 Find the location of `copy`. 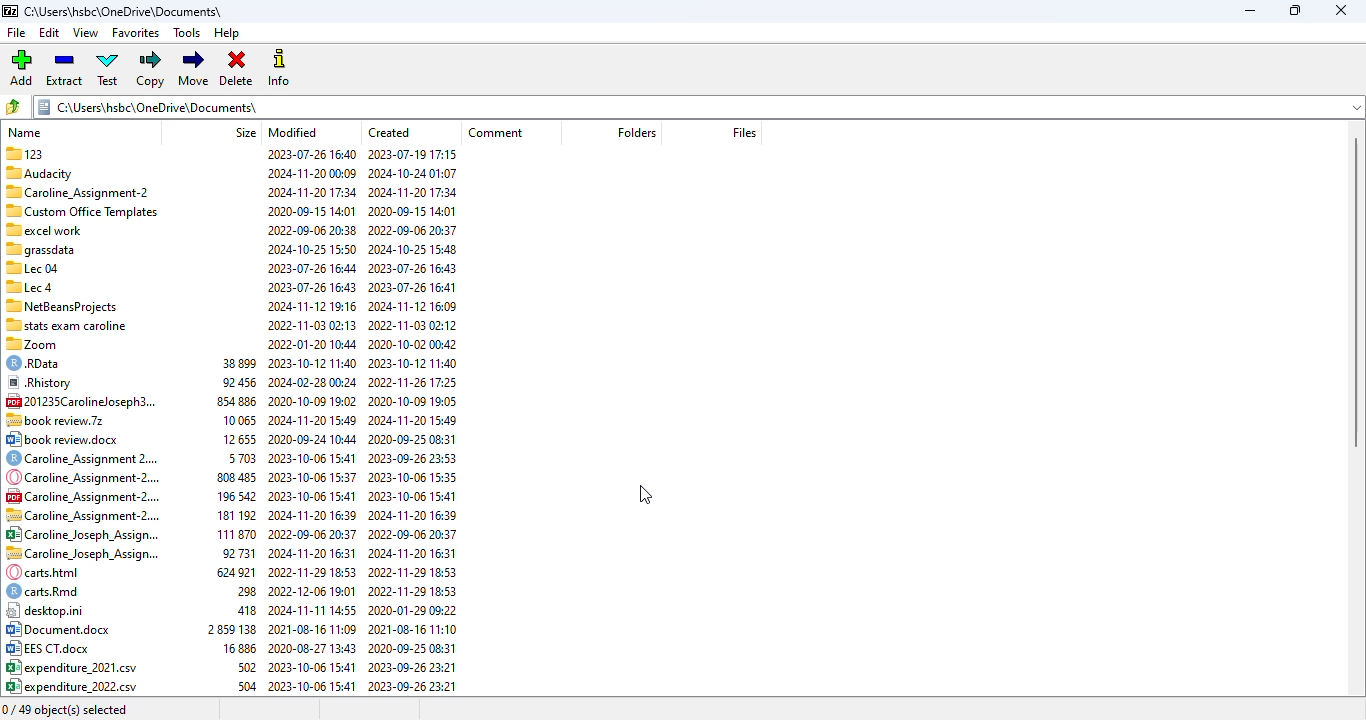

copy is located at coordinates (149, 69).